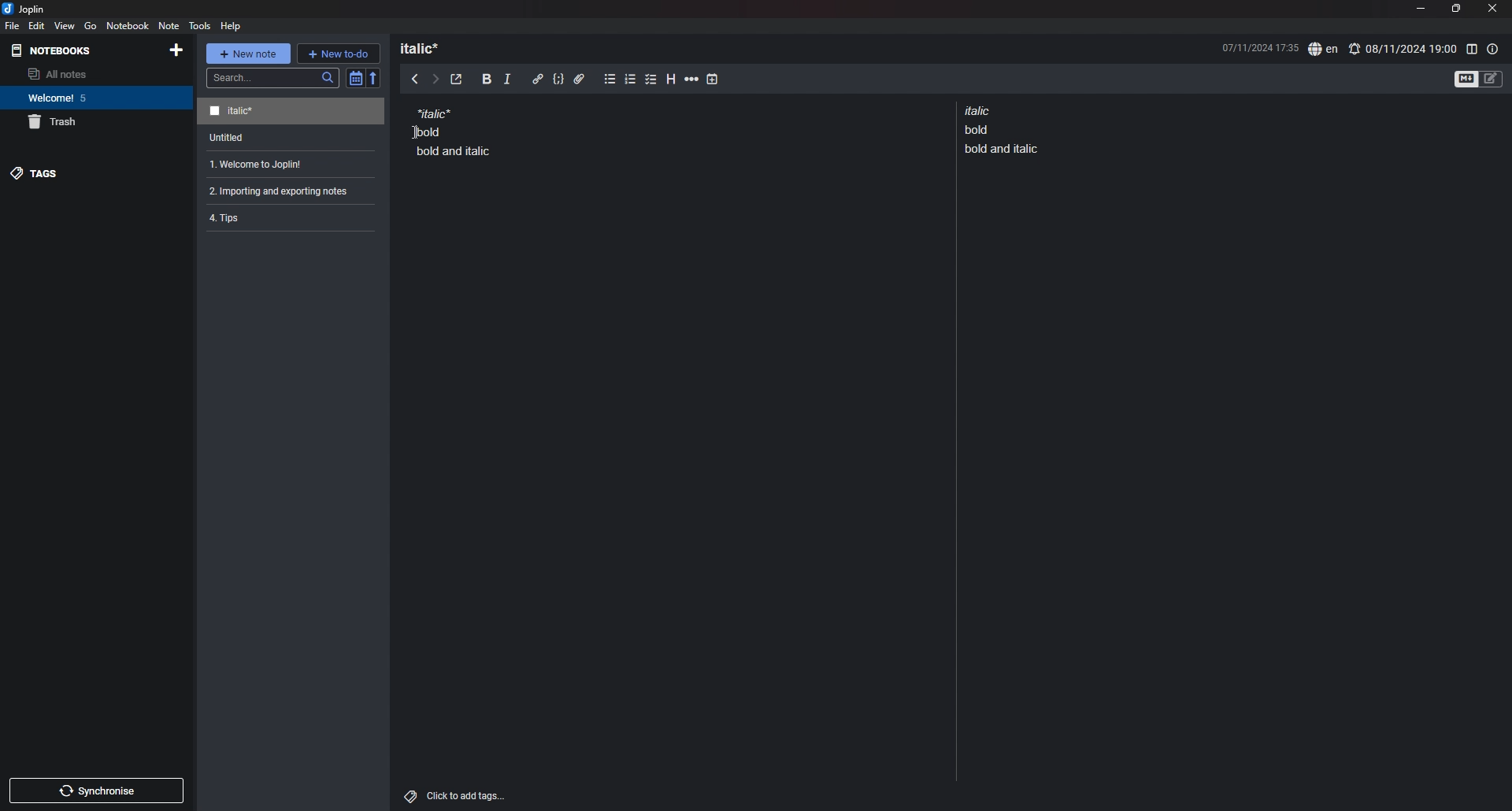 The height and width of the screenshot is (811, 1512). What do you see at coordinates (355, 78) in the screenshot?
I see `toggle sort order` at bounding box center [355, 78].